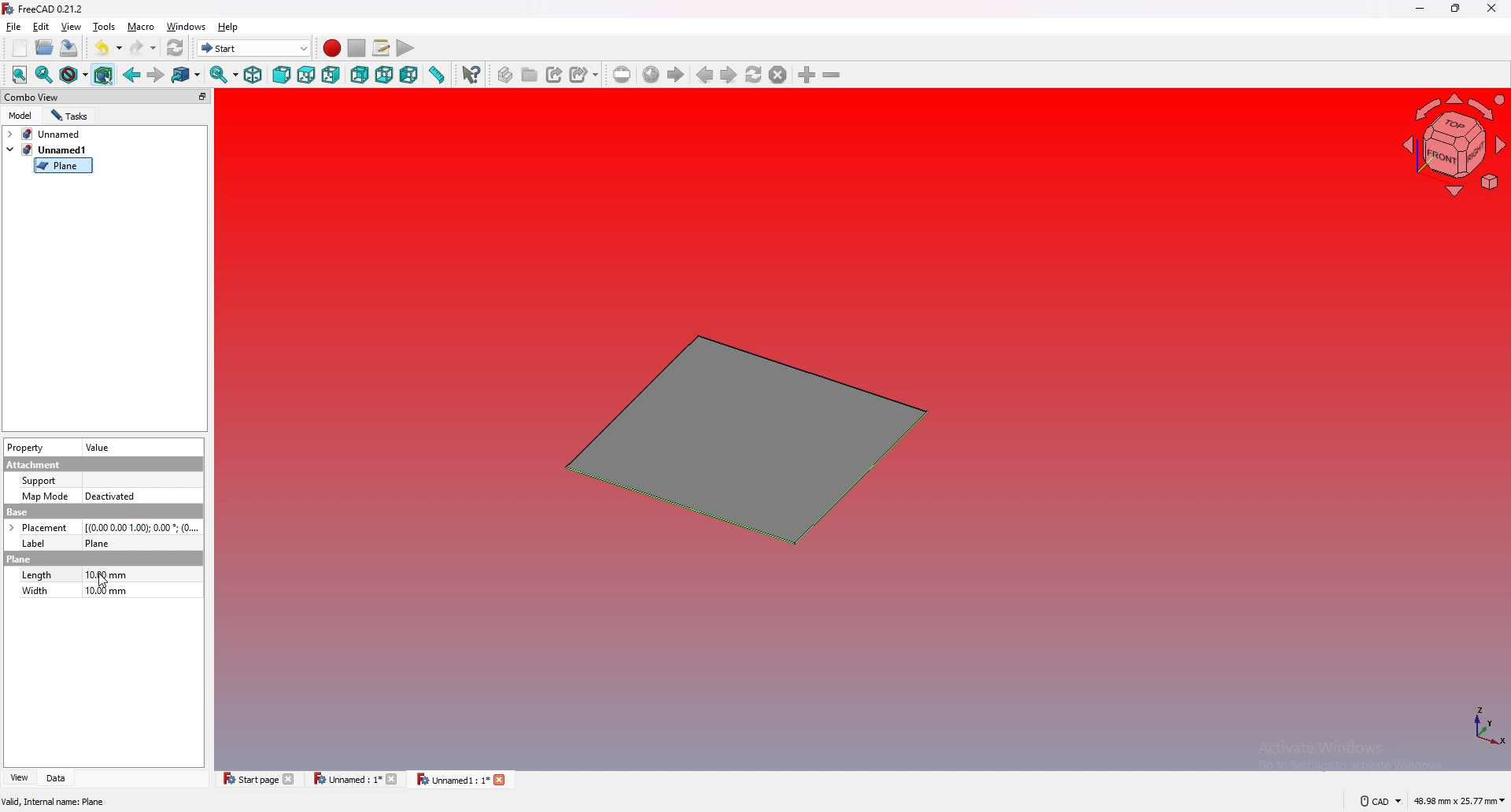  Describe the element at coordinates (706, 75) in the screenshot. I see `previous page` at that location.